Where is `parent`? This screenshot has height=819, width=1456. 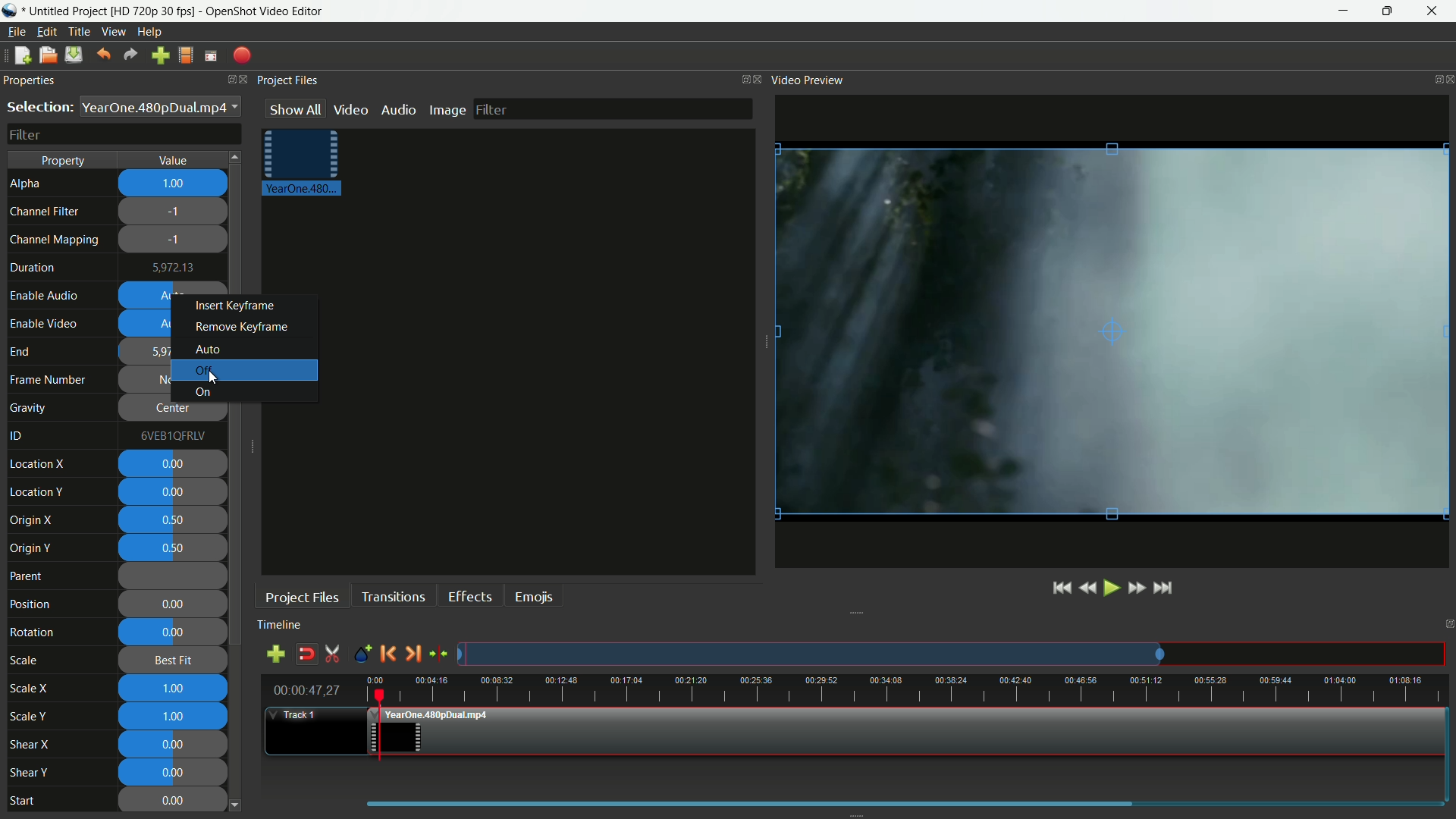 parent is located at coordinates (30, 577).